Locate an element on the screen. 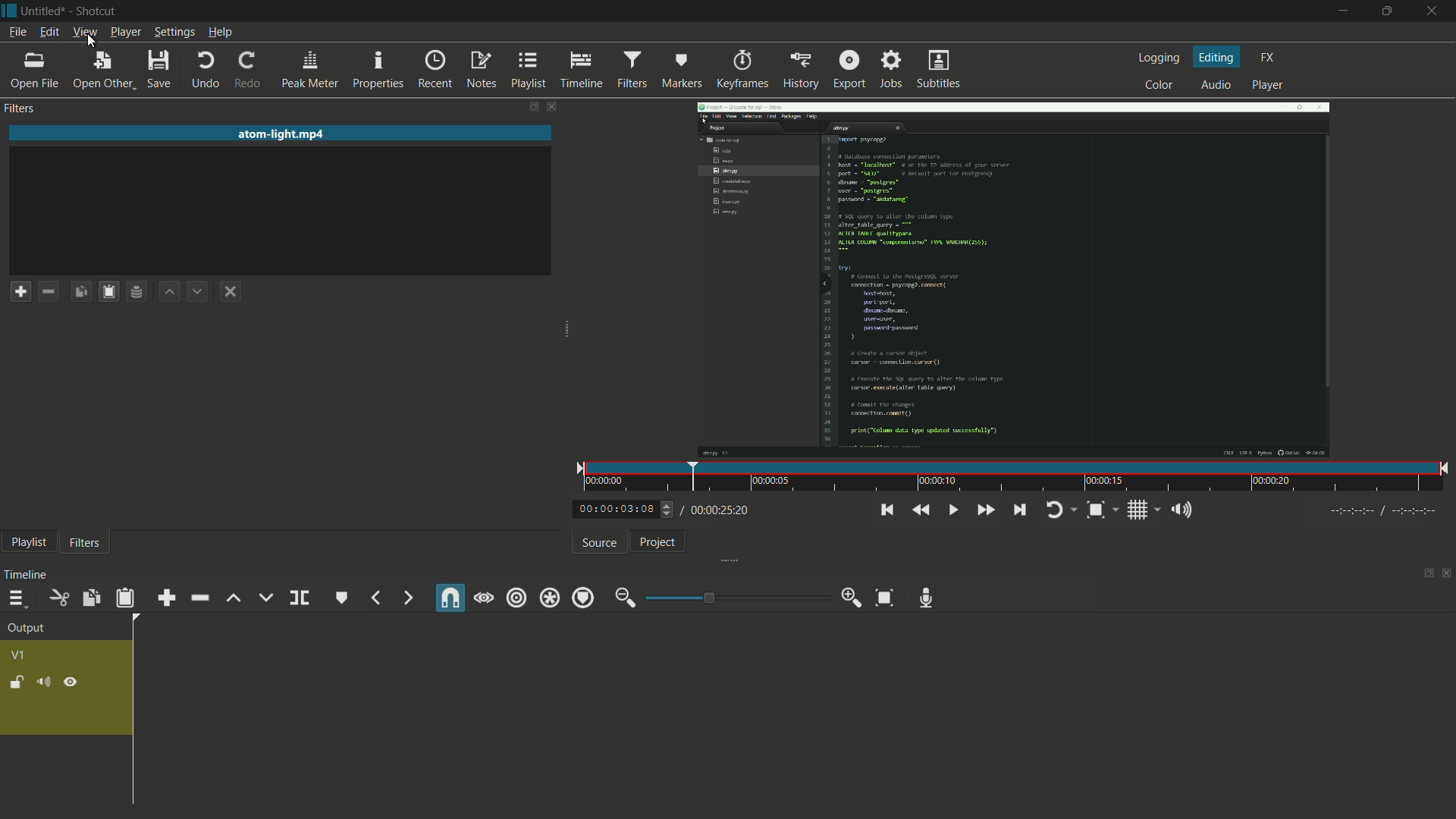 The height and width of the screenshot is (819, 1456). lock is located at coordinates (17, 682).